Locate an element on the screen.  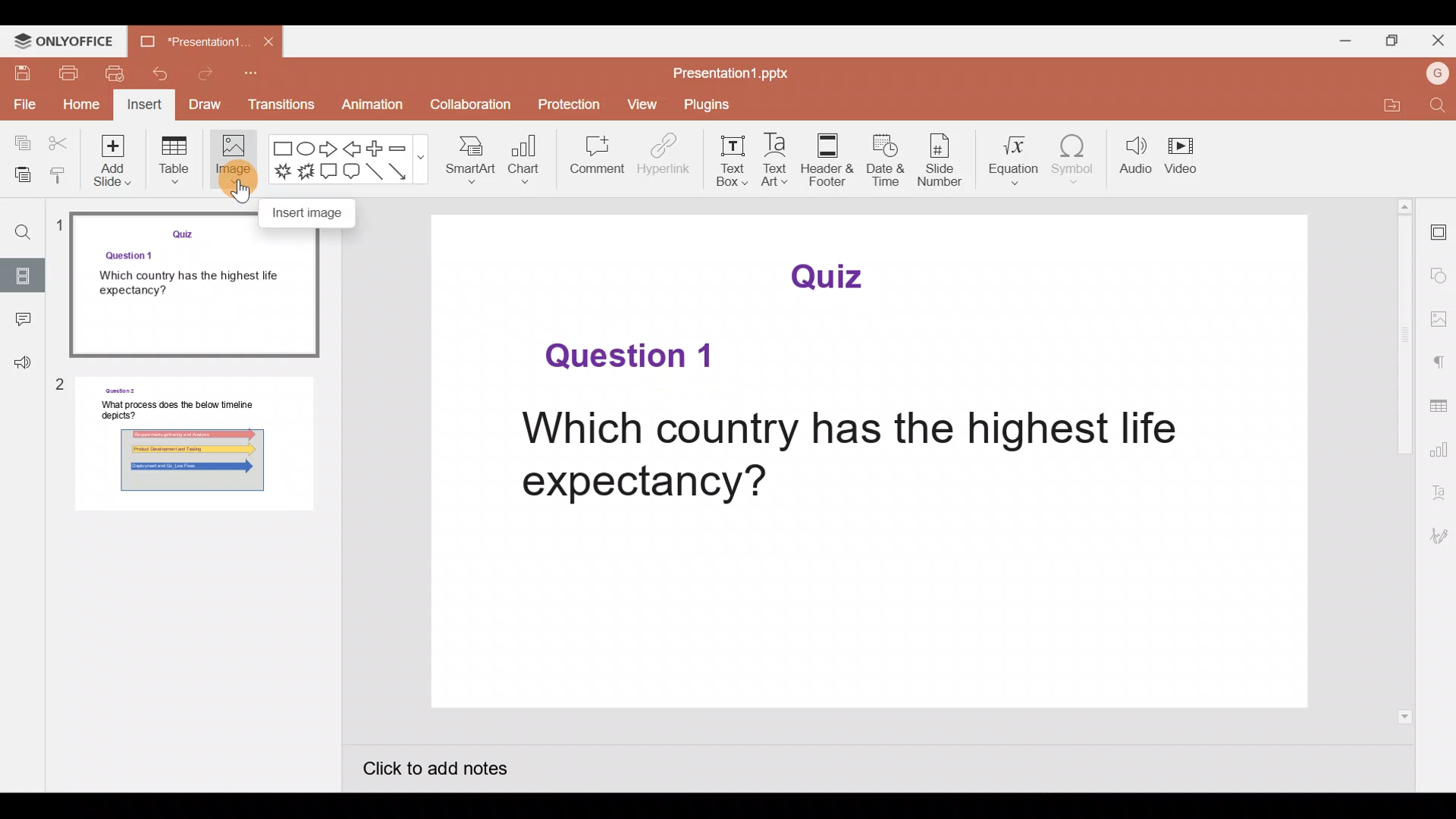
Home is located at coordinates (81, 104).